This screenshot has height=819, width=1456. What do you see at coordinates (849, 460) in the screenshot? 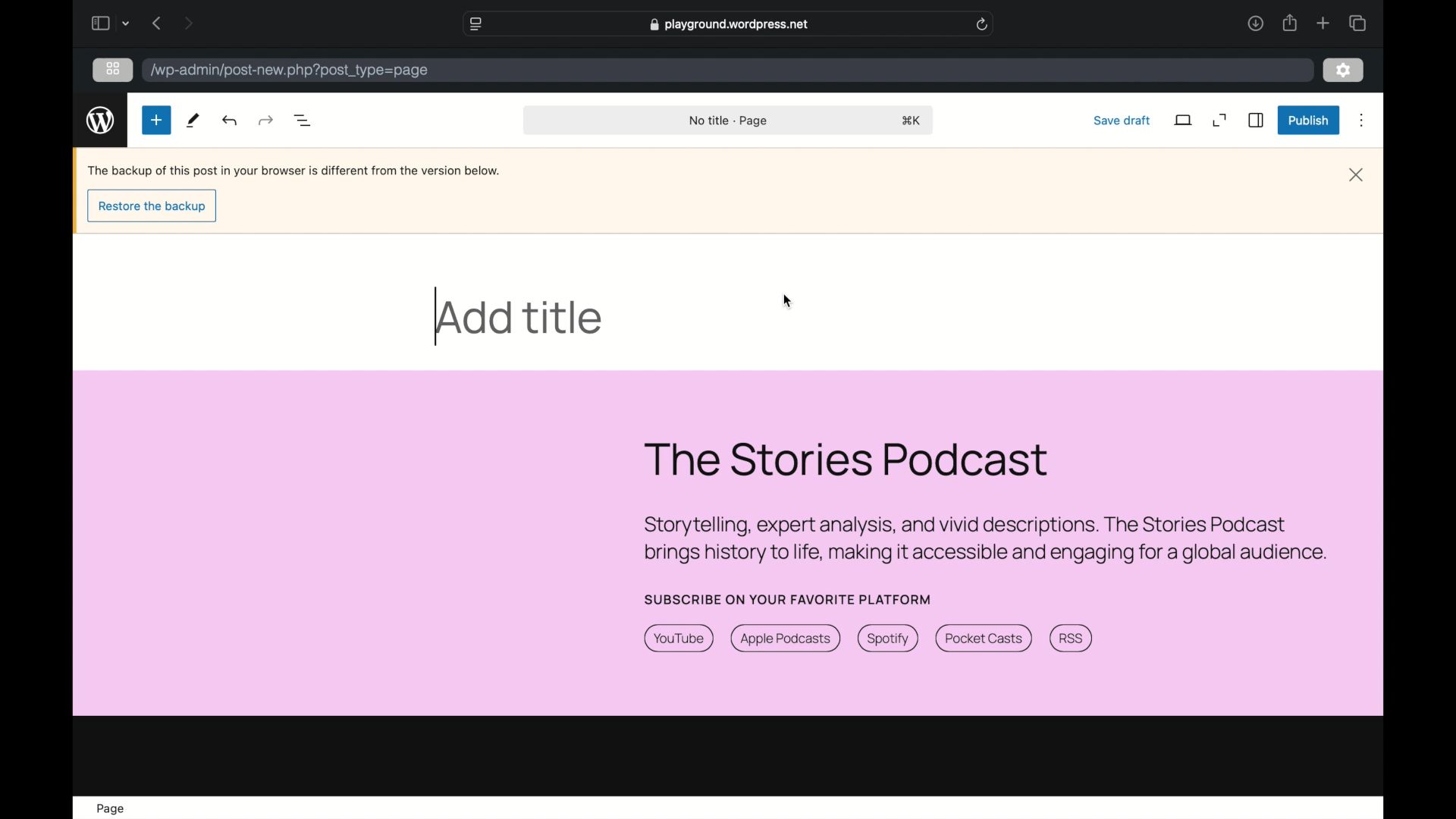
I see `template content heading` at bounding box center [849, 460].